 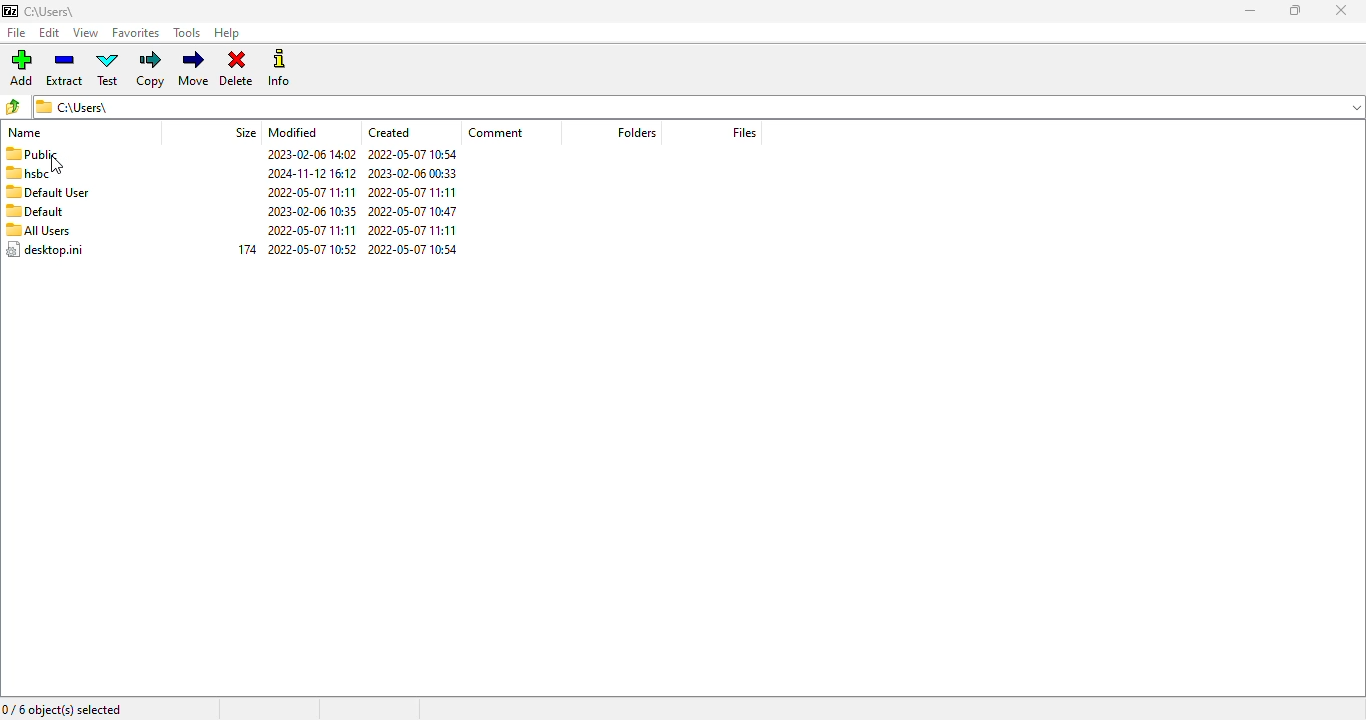 What do you see at coordinates (412, 154) in the screenshot?
I see `2022-05-07 10:54` at bounding box center [412, 154].